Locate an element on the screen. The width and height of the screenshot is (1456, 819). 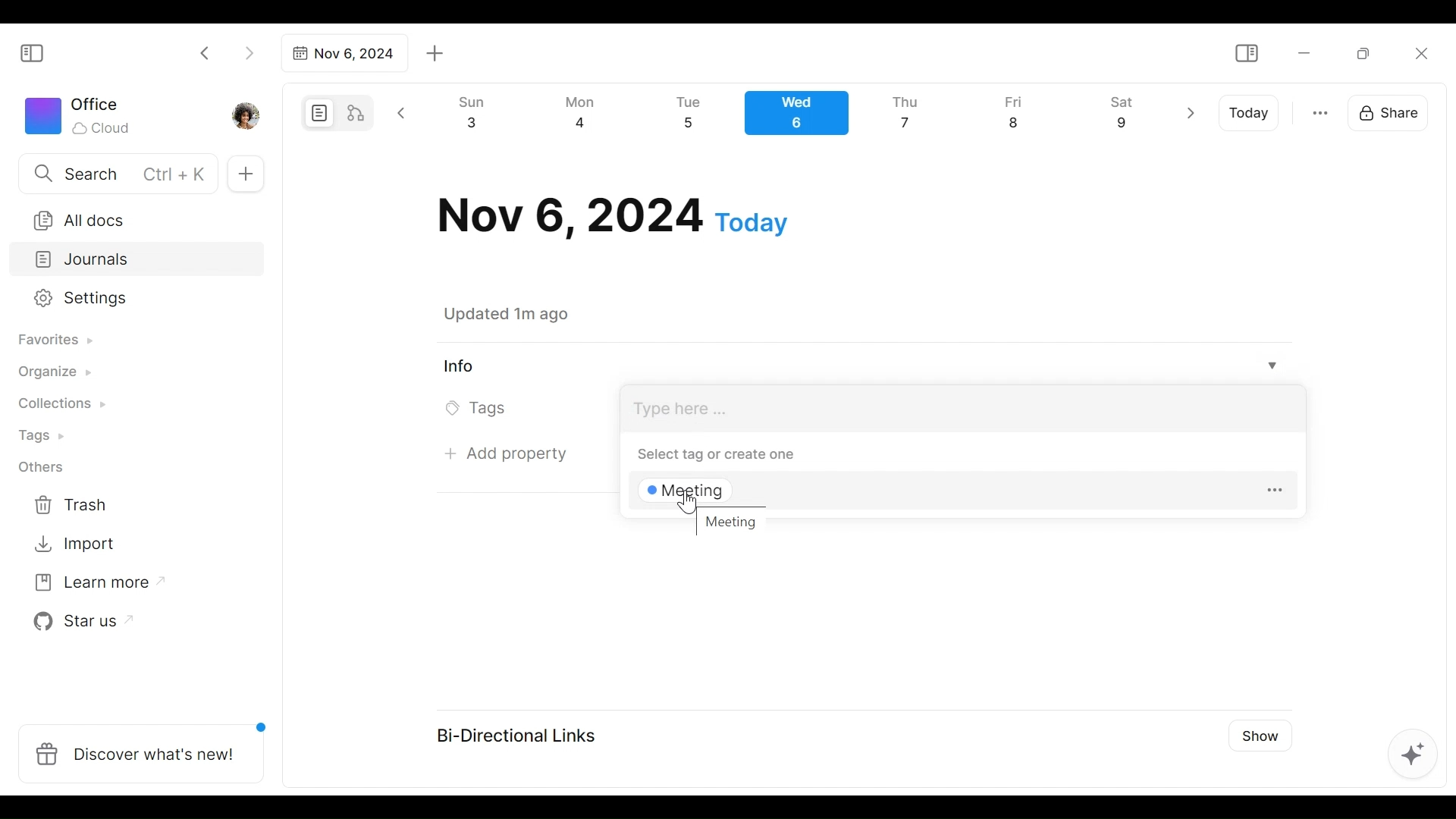
Show is located at coordinates (1255, 734).